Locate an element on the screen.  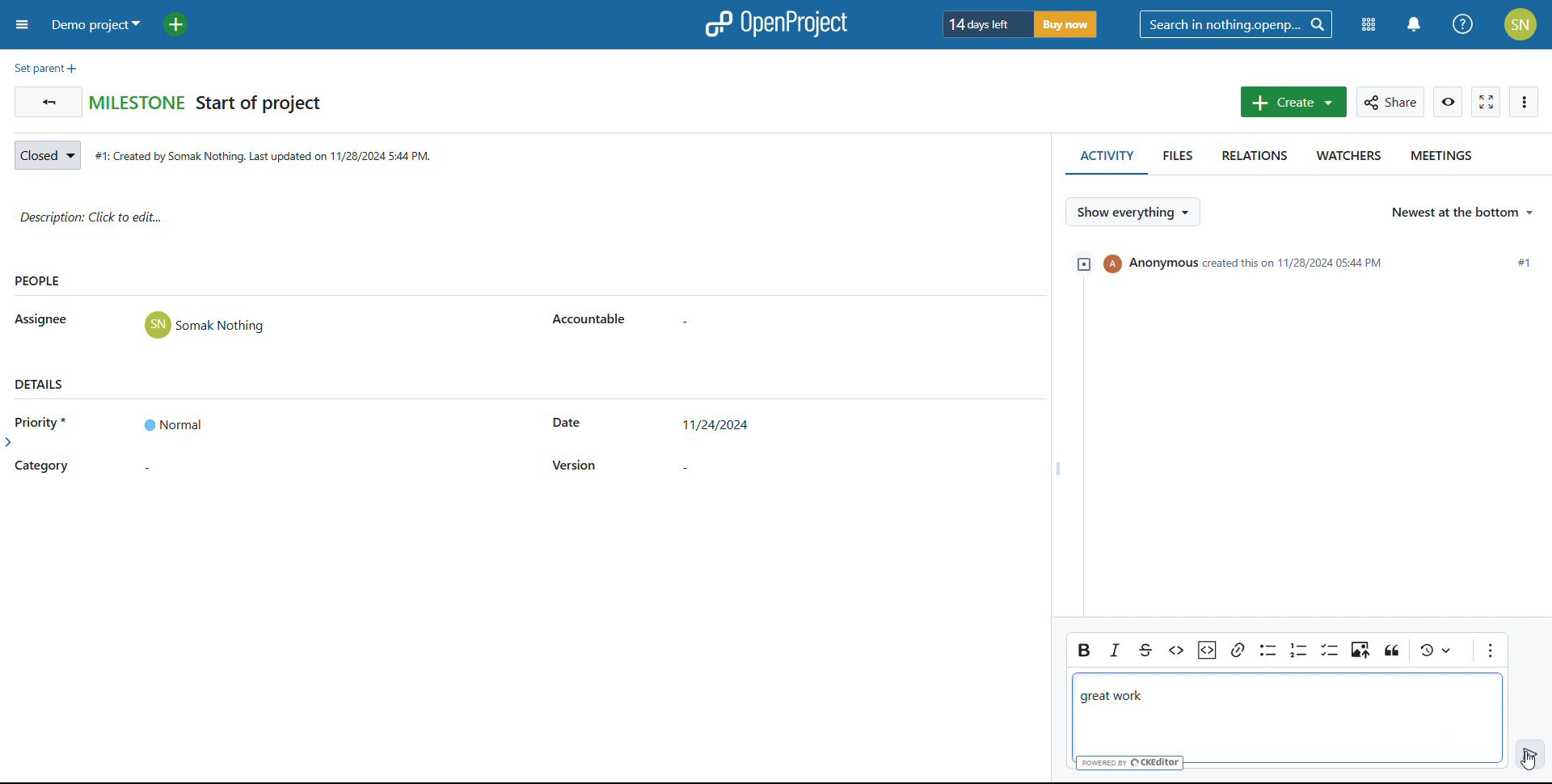
add project is located at coordinates (181, 24).